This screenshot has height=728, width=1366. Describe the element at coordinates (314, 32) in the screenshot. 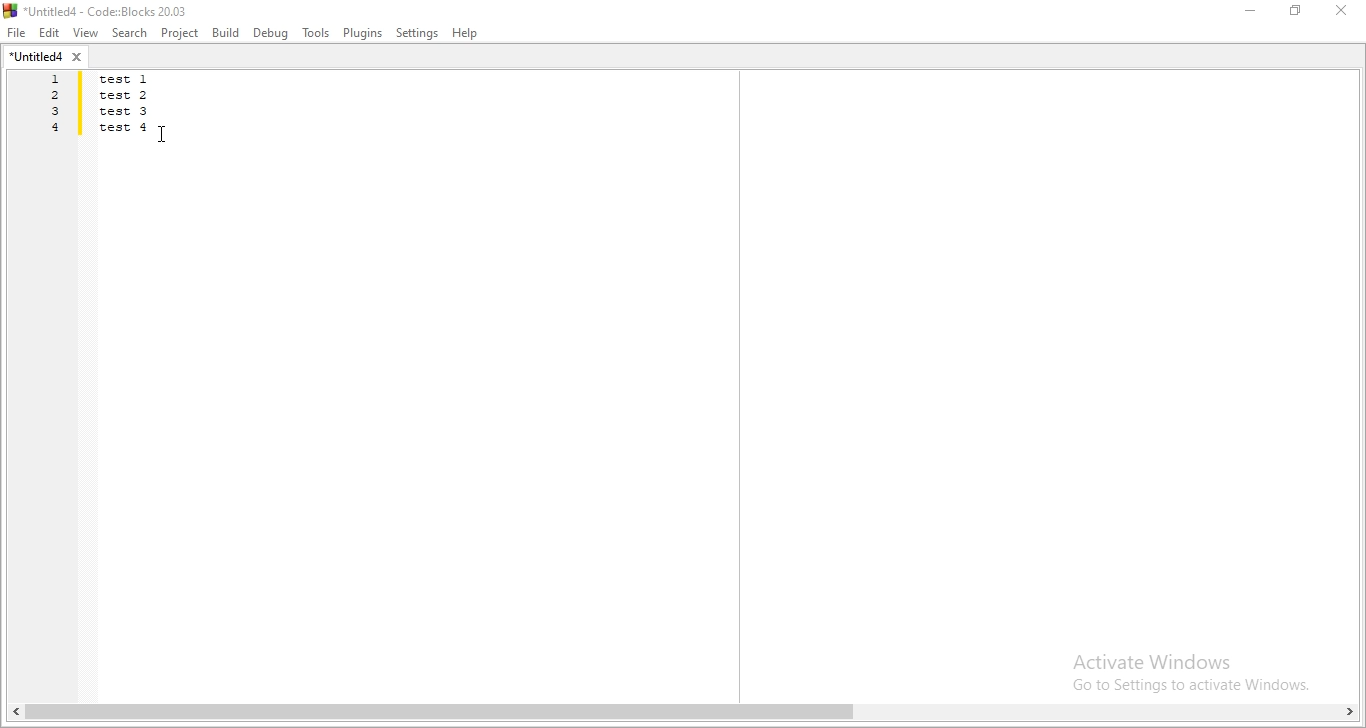

I see `Tools ` at that location.